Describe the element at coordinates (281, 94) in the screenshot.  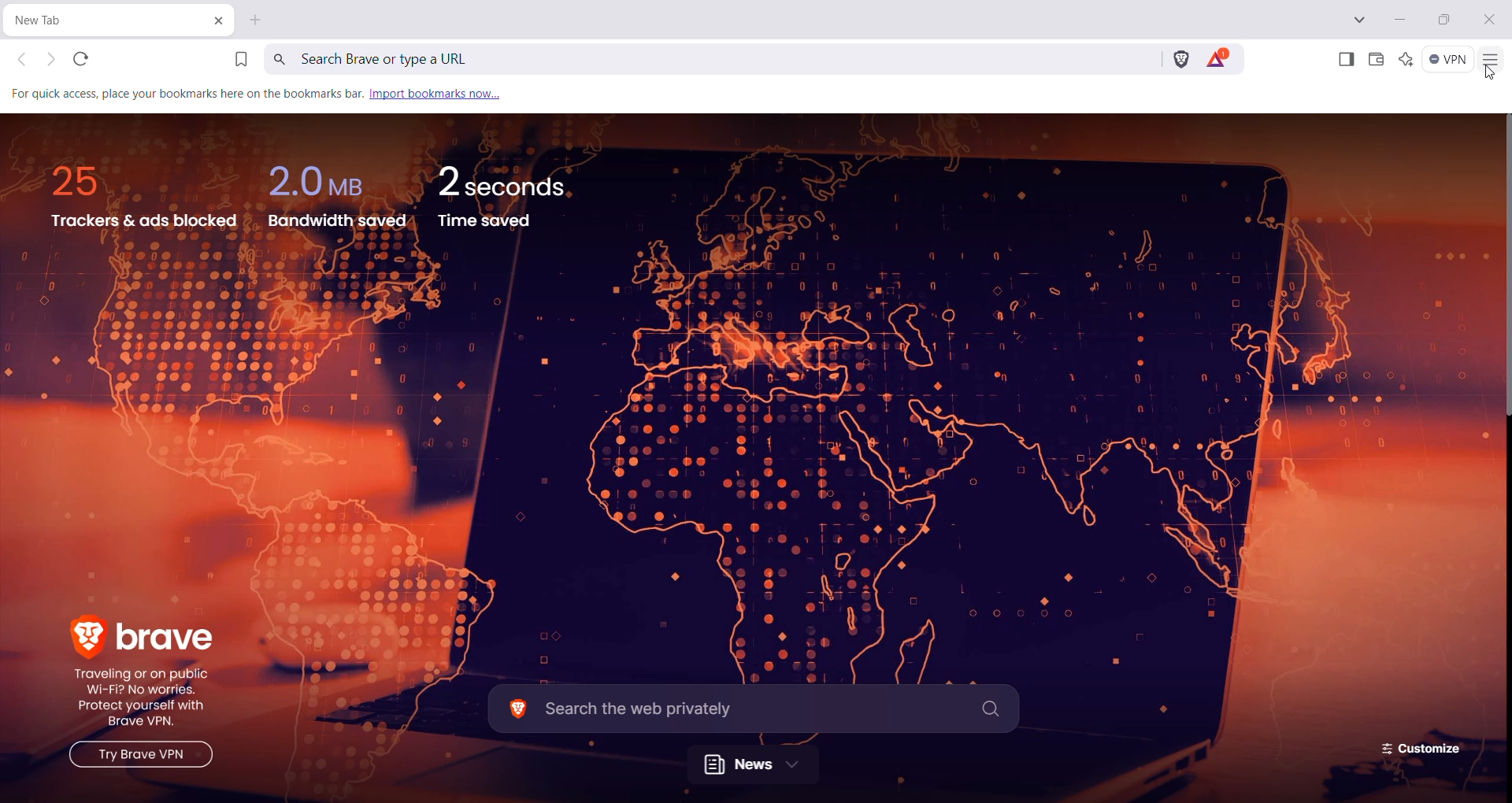
I see `for quick access place your bookmarks here on the bookmark bar. import bookmark now` at that location.